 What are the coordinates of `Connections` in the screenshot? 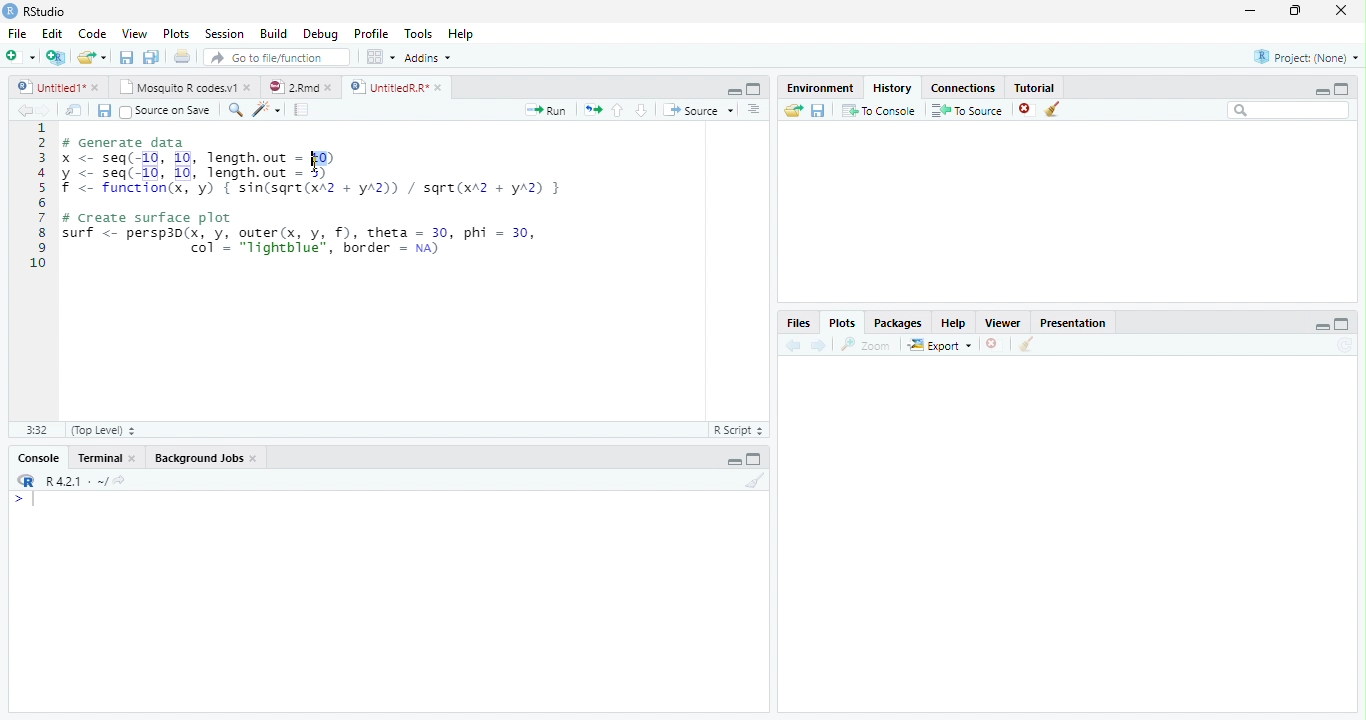 It's located at (963, 87).